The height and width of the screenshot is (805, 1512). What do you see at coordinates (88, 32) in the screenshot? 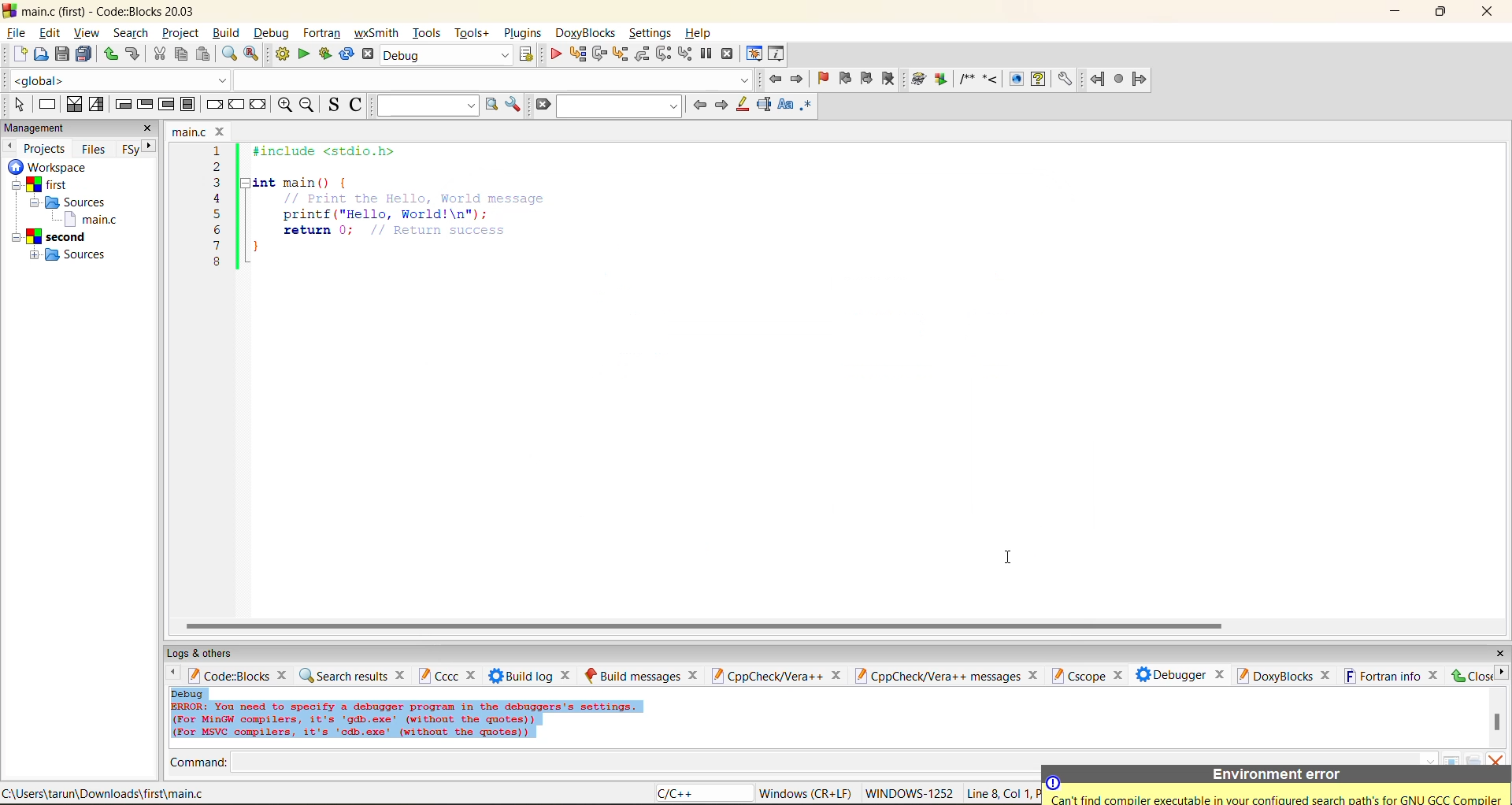
I see `view` at bounding box center [88, 32].